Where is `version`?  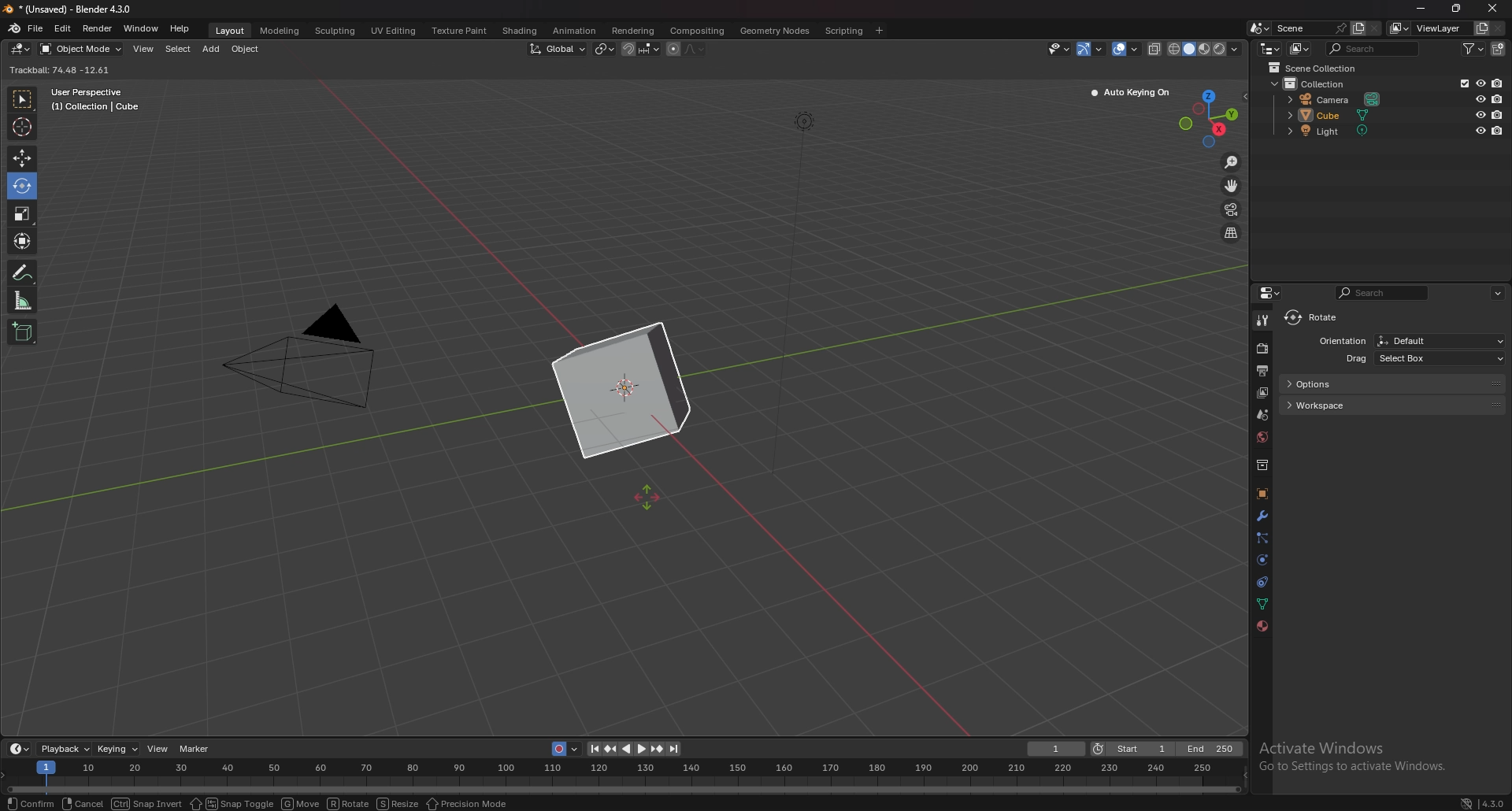 version is located at coordinates (1484, 802).